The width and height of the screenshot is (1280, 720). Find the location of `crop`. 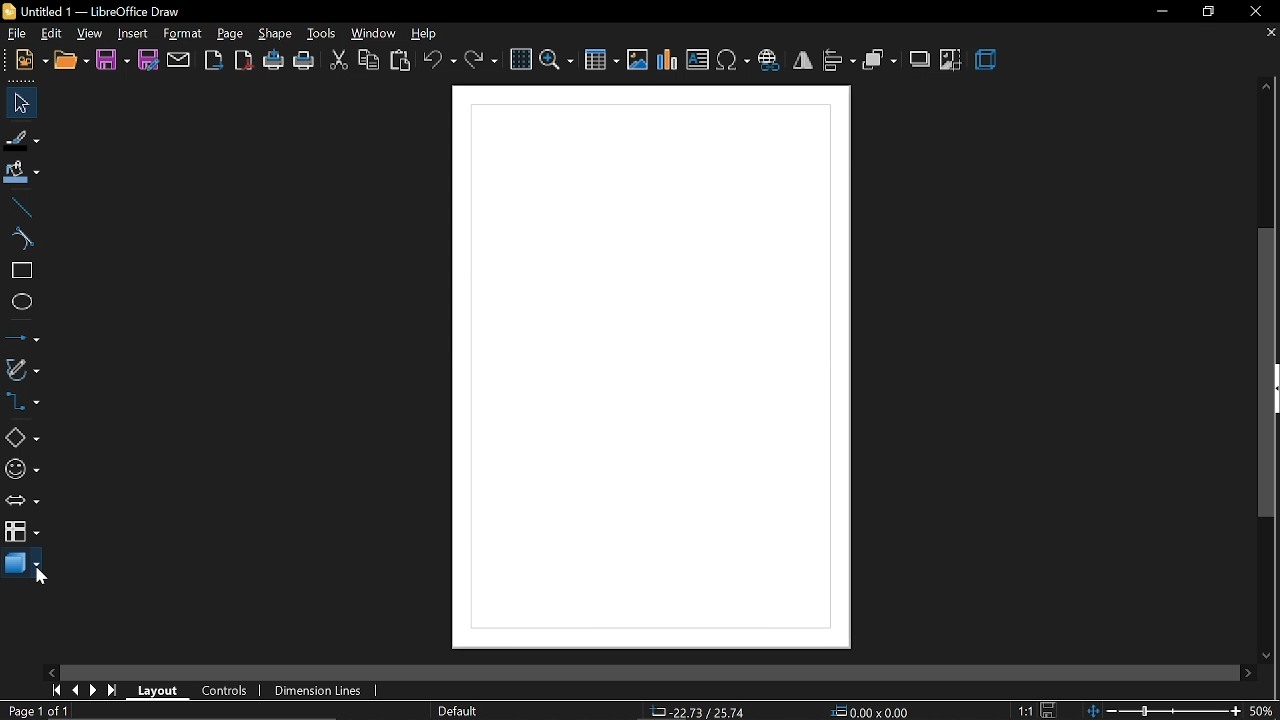

crop is located at coordinates (950, 59).